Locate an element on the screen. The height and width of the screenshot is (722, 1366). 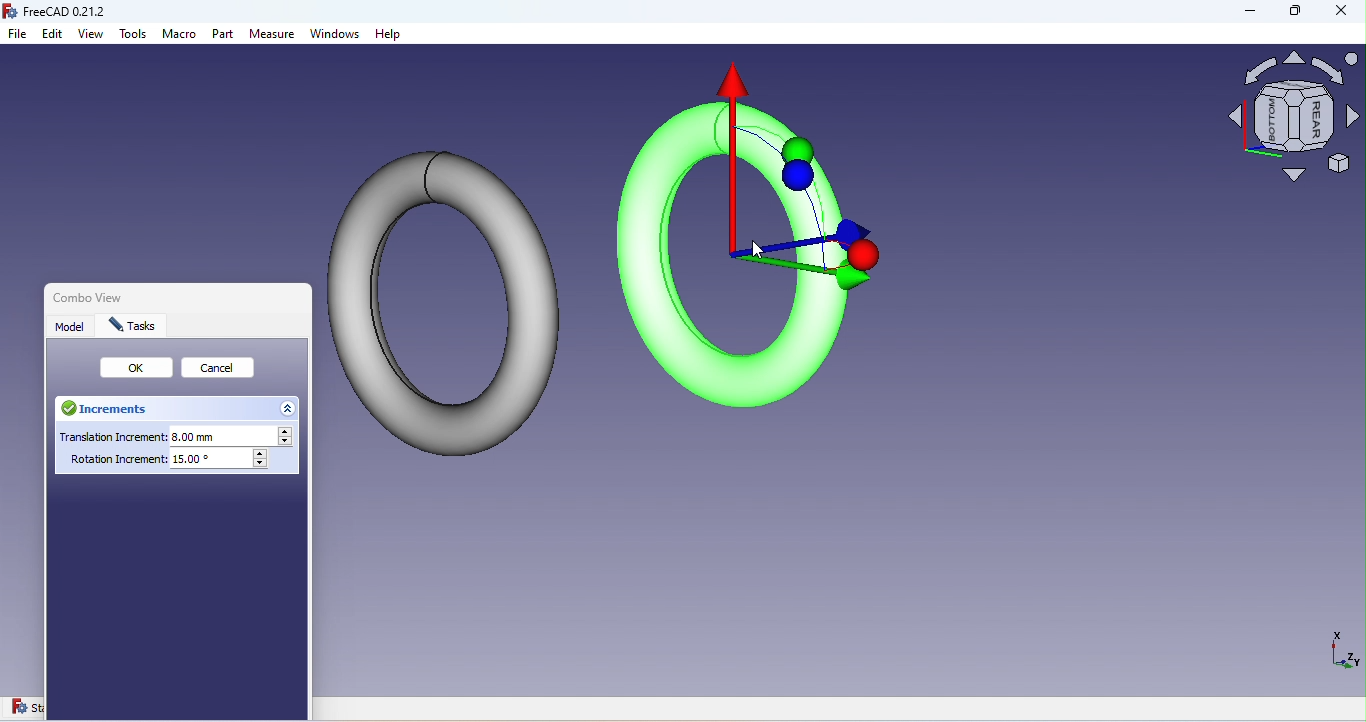
Increase rotation increment is located at coordinates (261, 453).